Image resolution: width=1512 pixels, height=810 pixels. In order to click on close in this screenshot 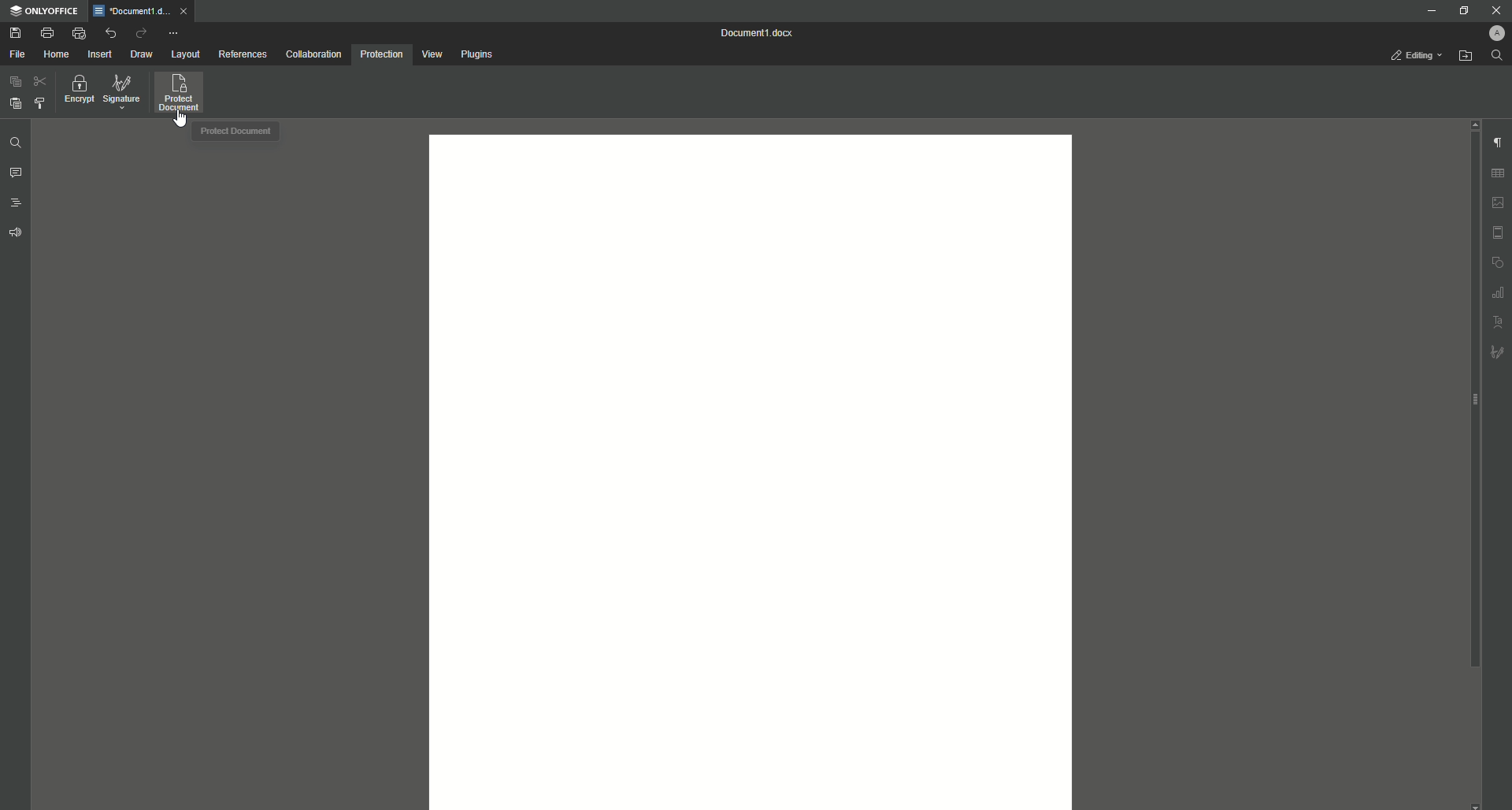, I will do `click(183, 11)`.